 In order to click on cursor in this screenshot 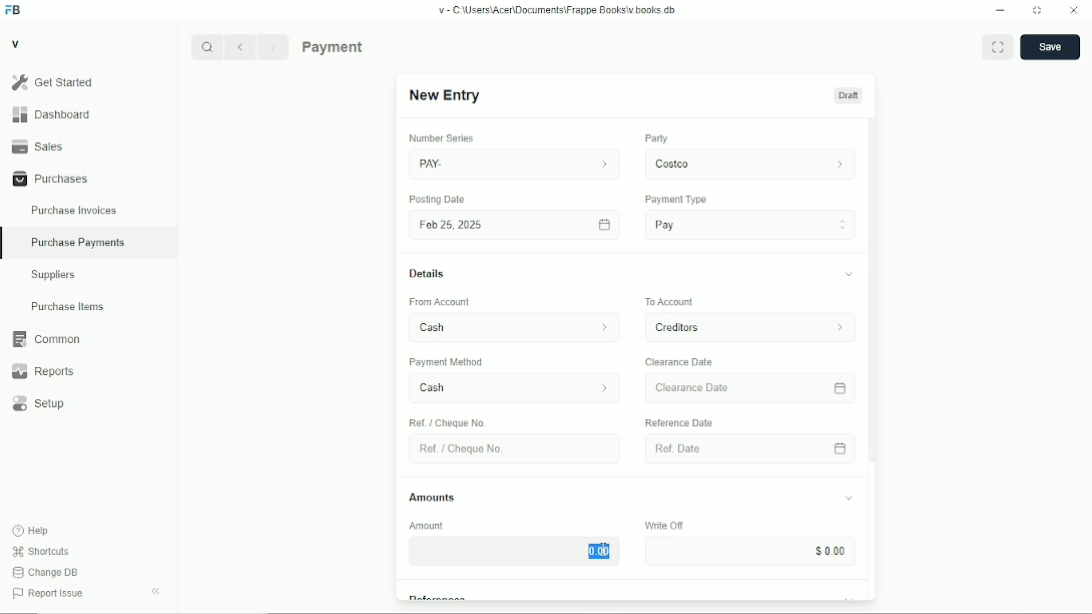, I will do `click(603, 550)`.